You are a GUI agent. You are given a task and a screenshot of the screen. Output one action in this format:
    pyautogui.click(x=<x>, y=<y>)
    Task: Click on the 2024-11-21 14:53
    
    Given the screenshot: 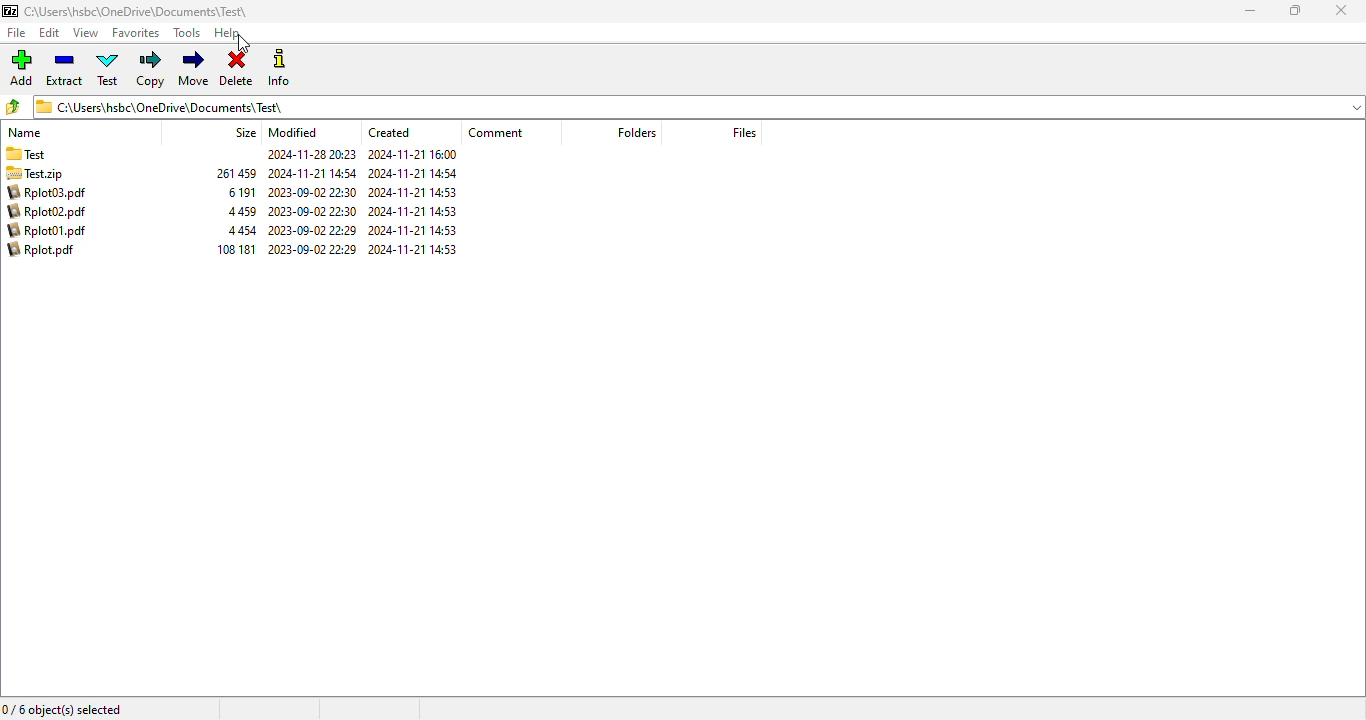 What is the action you would take?
    pyautogui.click(x=414, y=212)
    